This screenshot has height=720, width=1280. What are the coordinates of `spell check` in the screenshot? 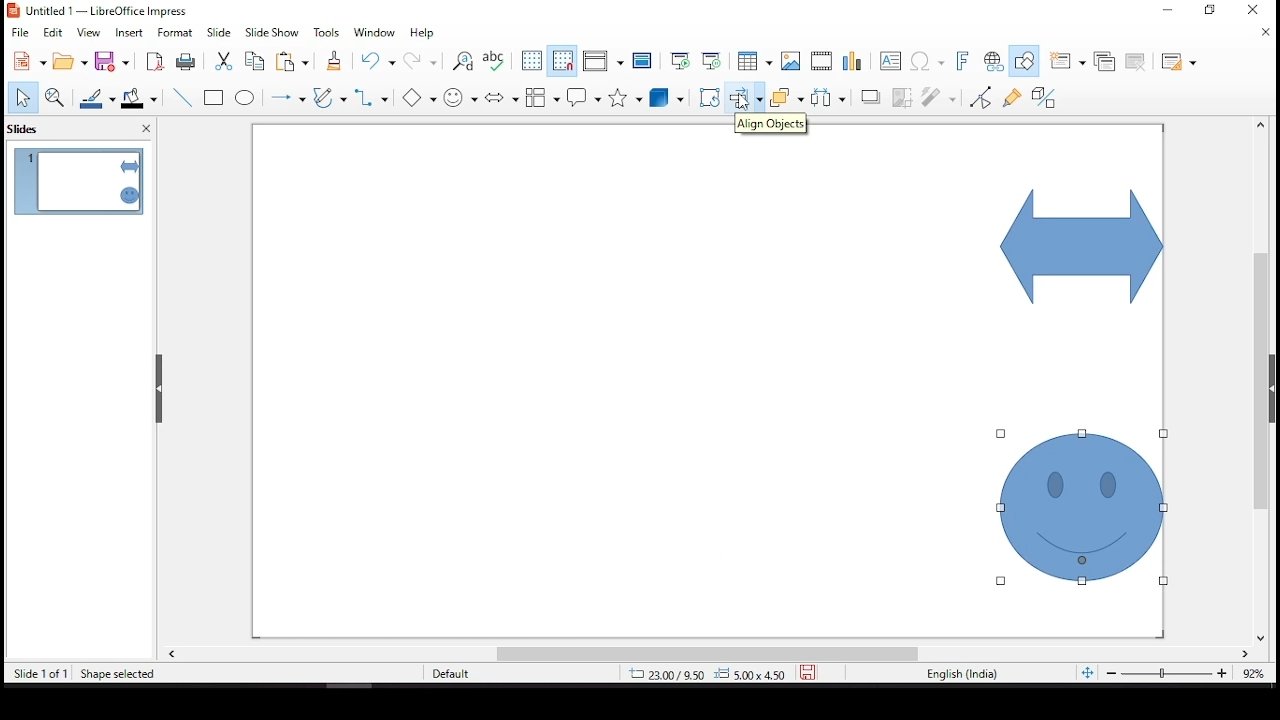 It's located at (494, 63).